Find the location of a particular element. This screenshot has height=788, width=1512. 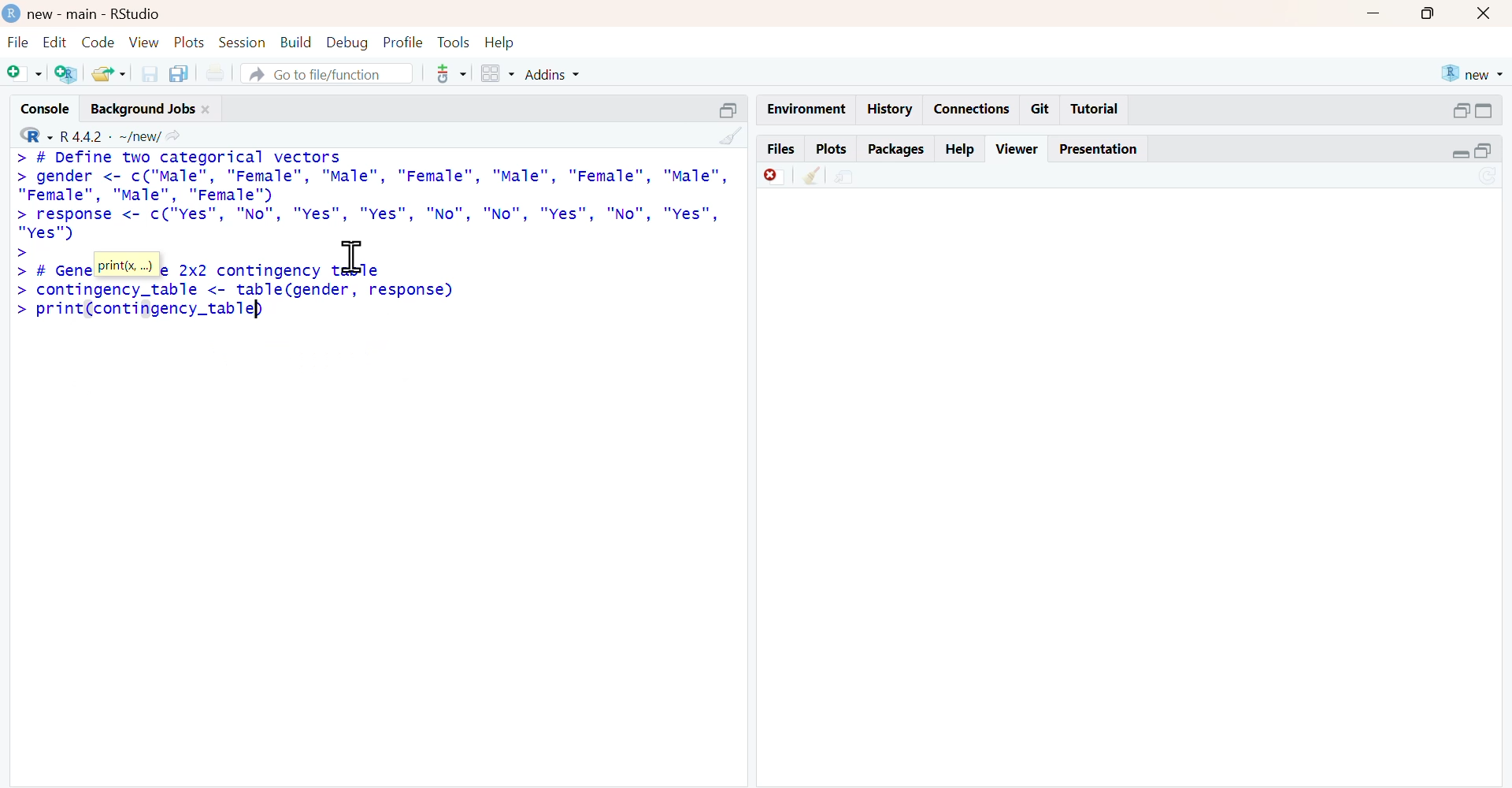

profile is located at coordinates (404, 42).